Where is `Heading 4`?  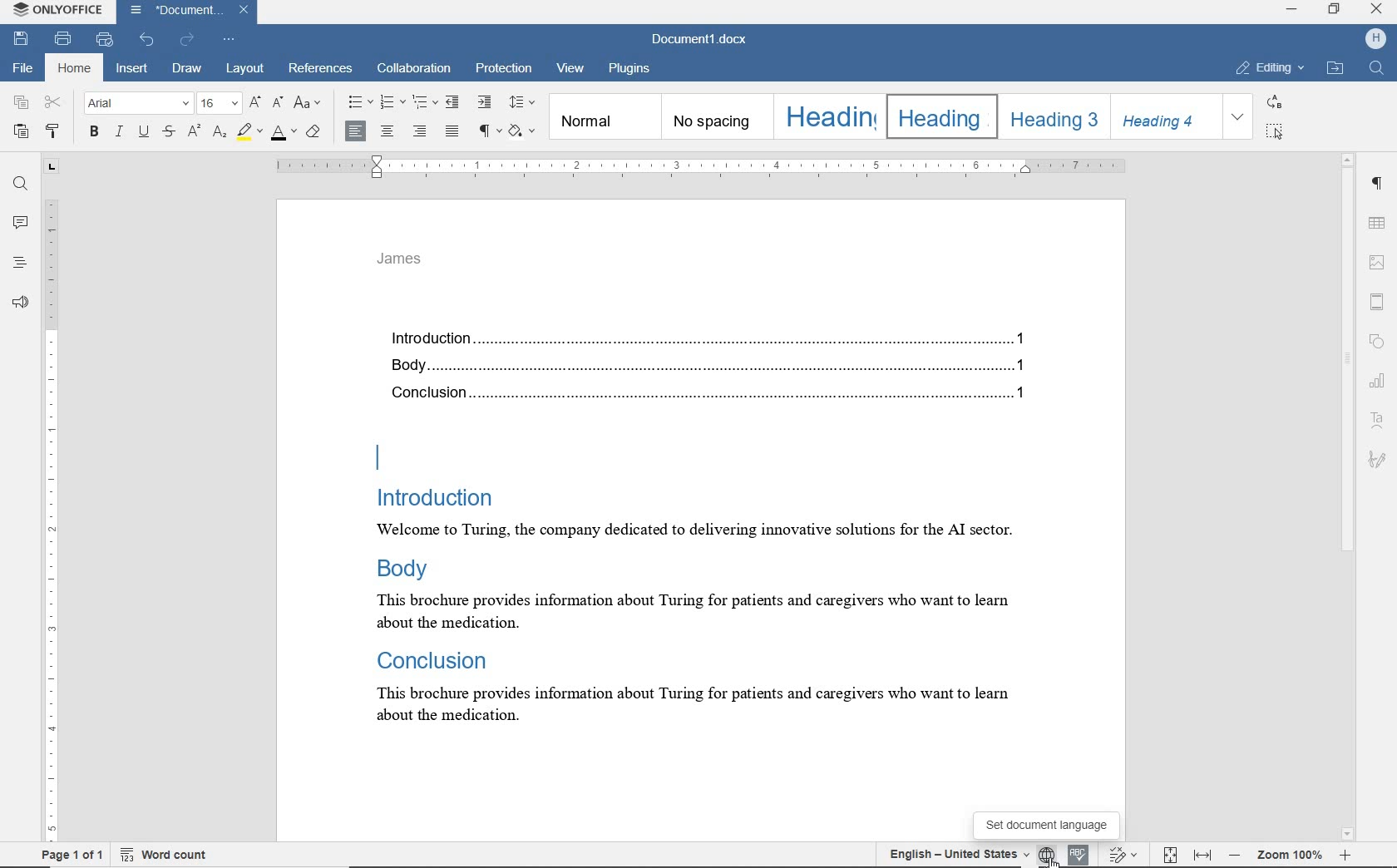 Heading 4 is located at coordinates (1165, 116).